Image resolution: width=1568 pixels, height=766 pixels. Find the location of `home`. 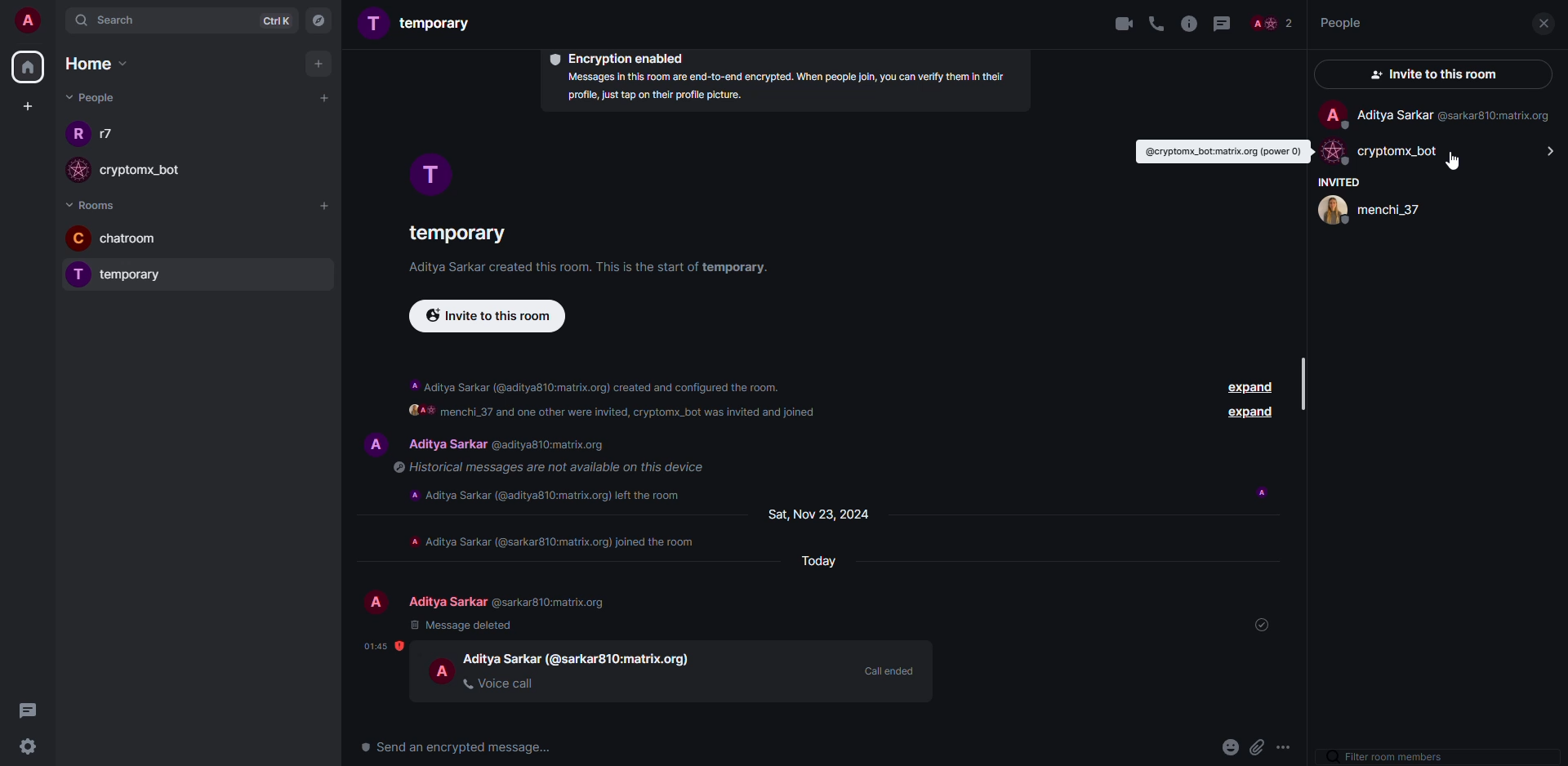

home is located at coordinates (95, 62).